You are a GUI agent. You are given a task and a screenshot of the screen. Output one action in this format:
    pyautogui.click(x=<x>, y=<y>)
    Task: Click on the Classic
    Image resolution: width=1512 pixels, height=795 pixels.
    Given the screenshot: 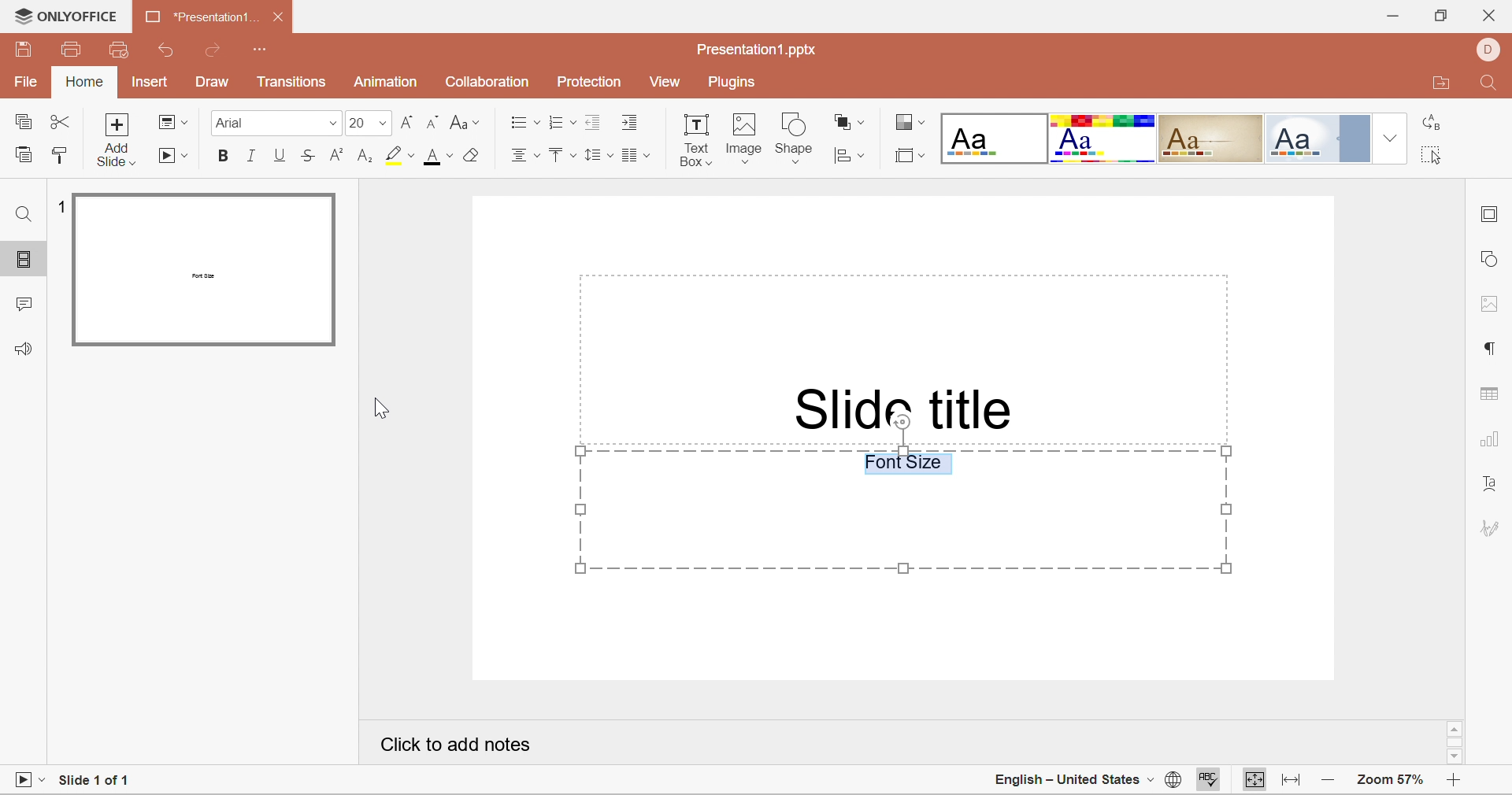 What is the action you would take?
    pyautogui.click(x=1211, y=136)
    